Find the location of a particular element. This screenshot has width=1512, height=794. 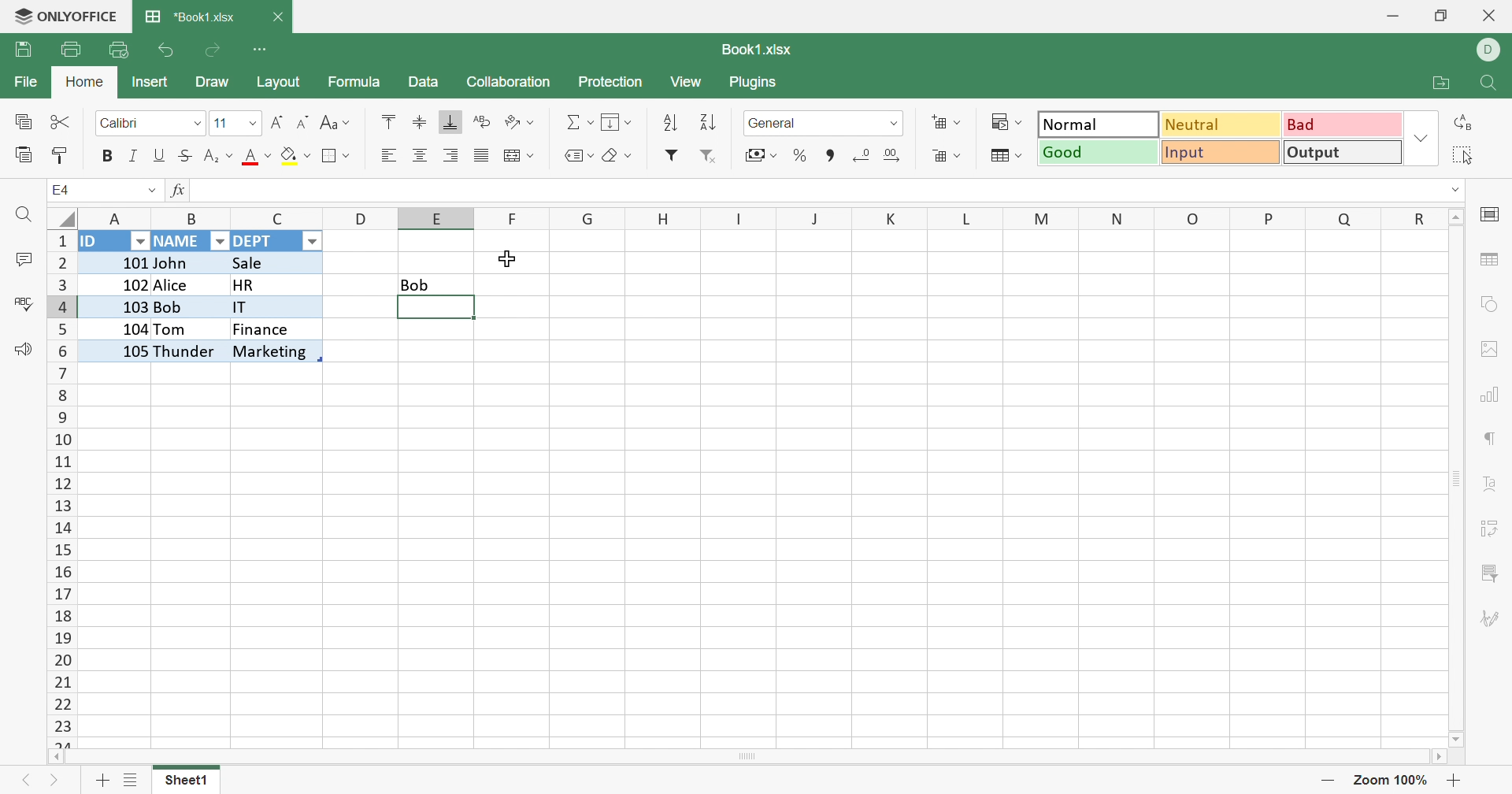

Descending order is located at coordinates (710, 122).